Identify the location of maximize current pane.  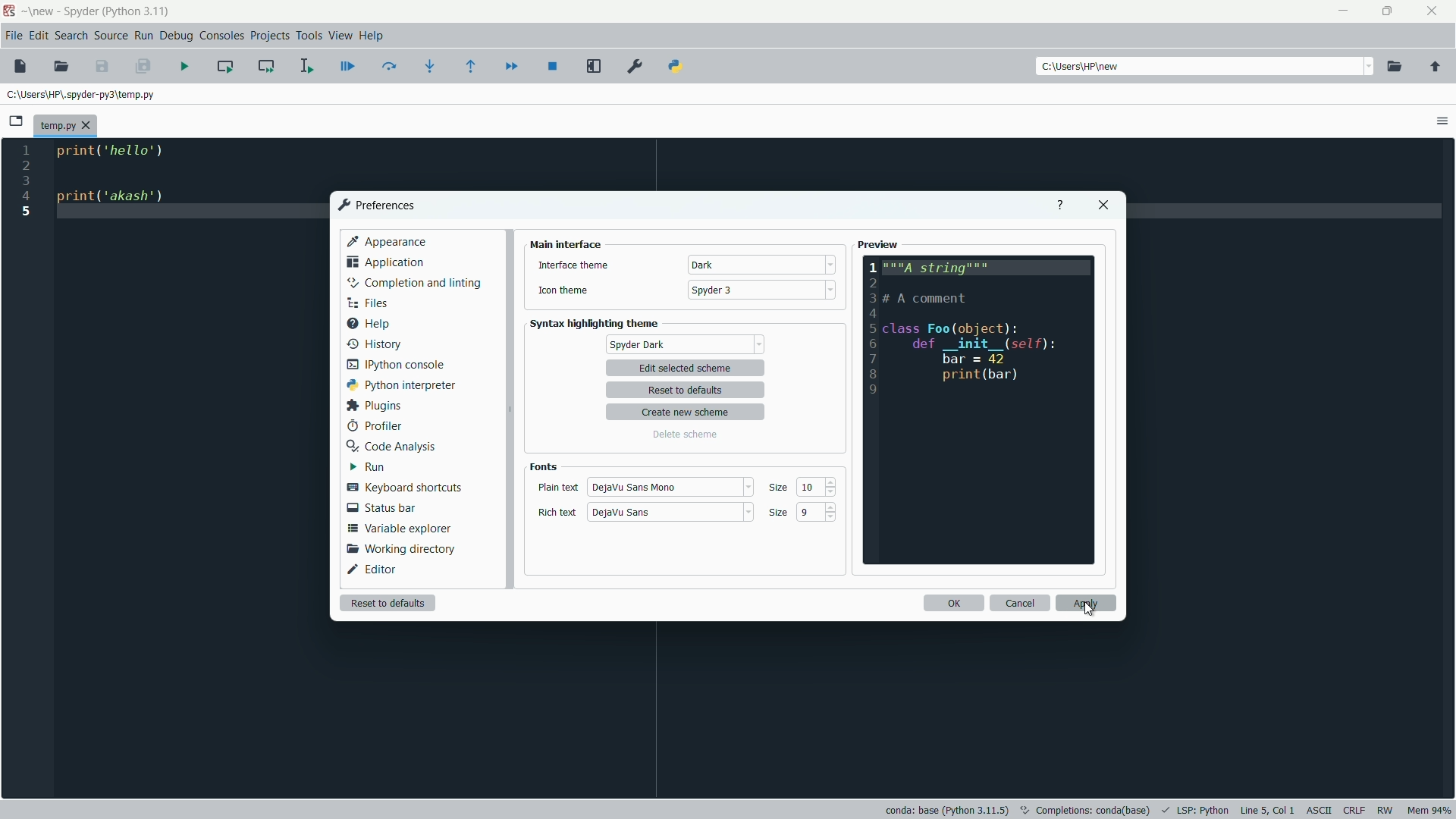
(595, 67).